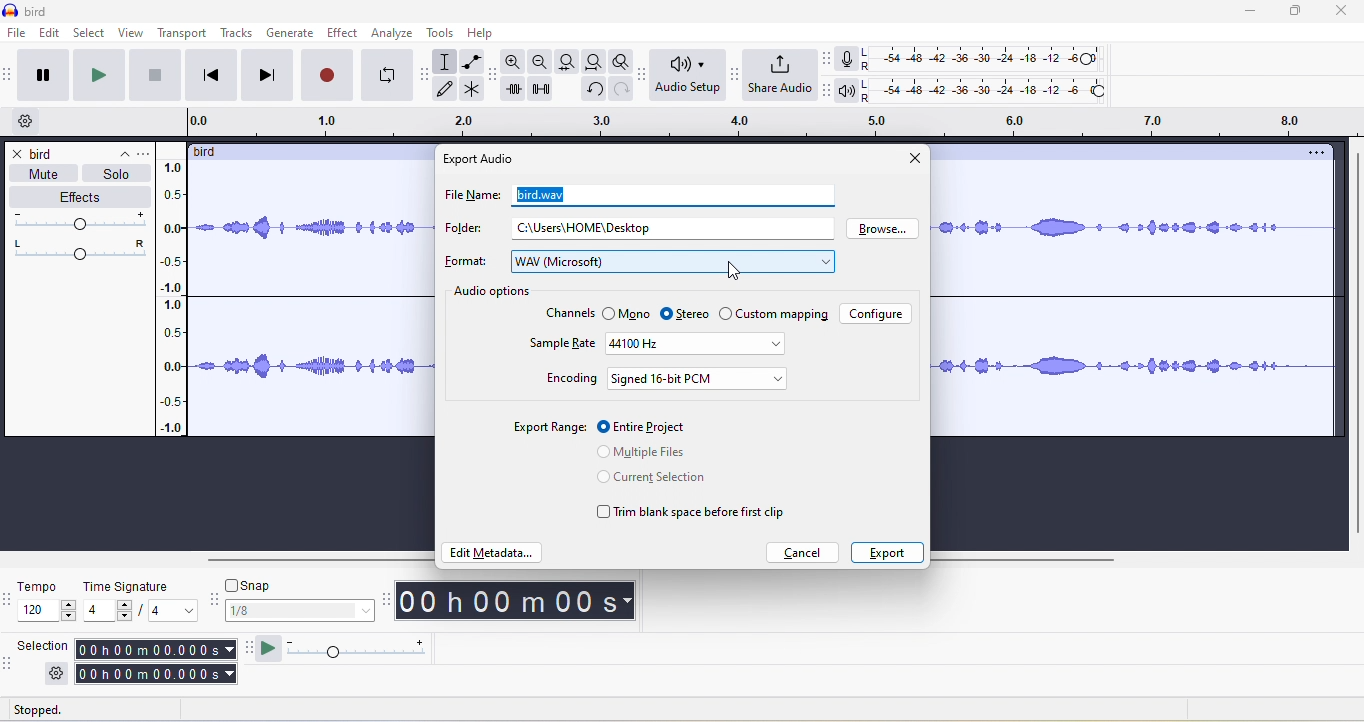  I want to click on view, so click(131, 33).